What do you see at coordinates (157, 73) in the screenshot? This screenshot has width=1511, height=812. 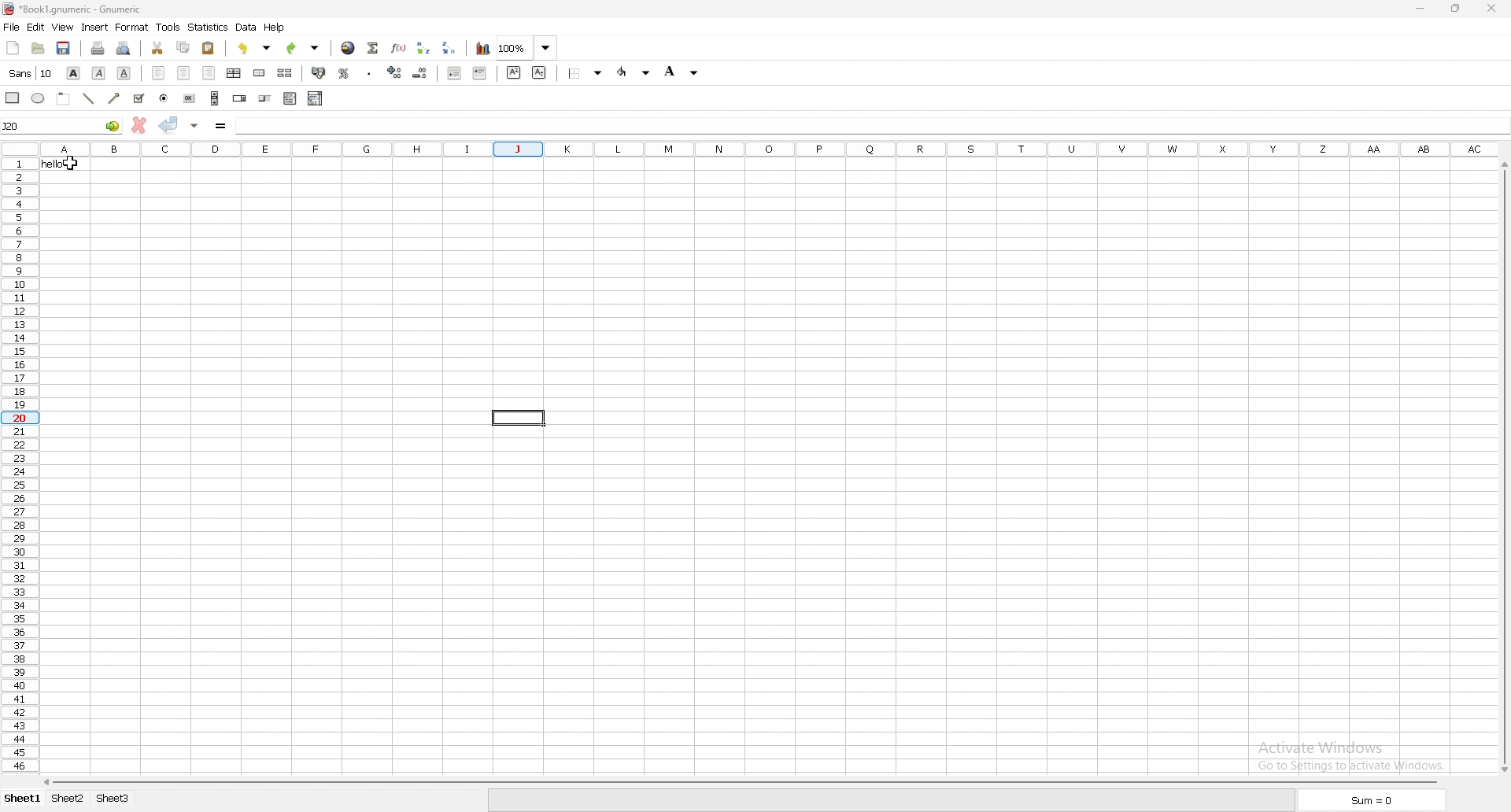 I see `align left` at bounding box center [157, 73].